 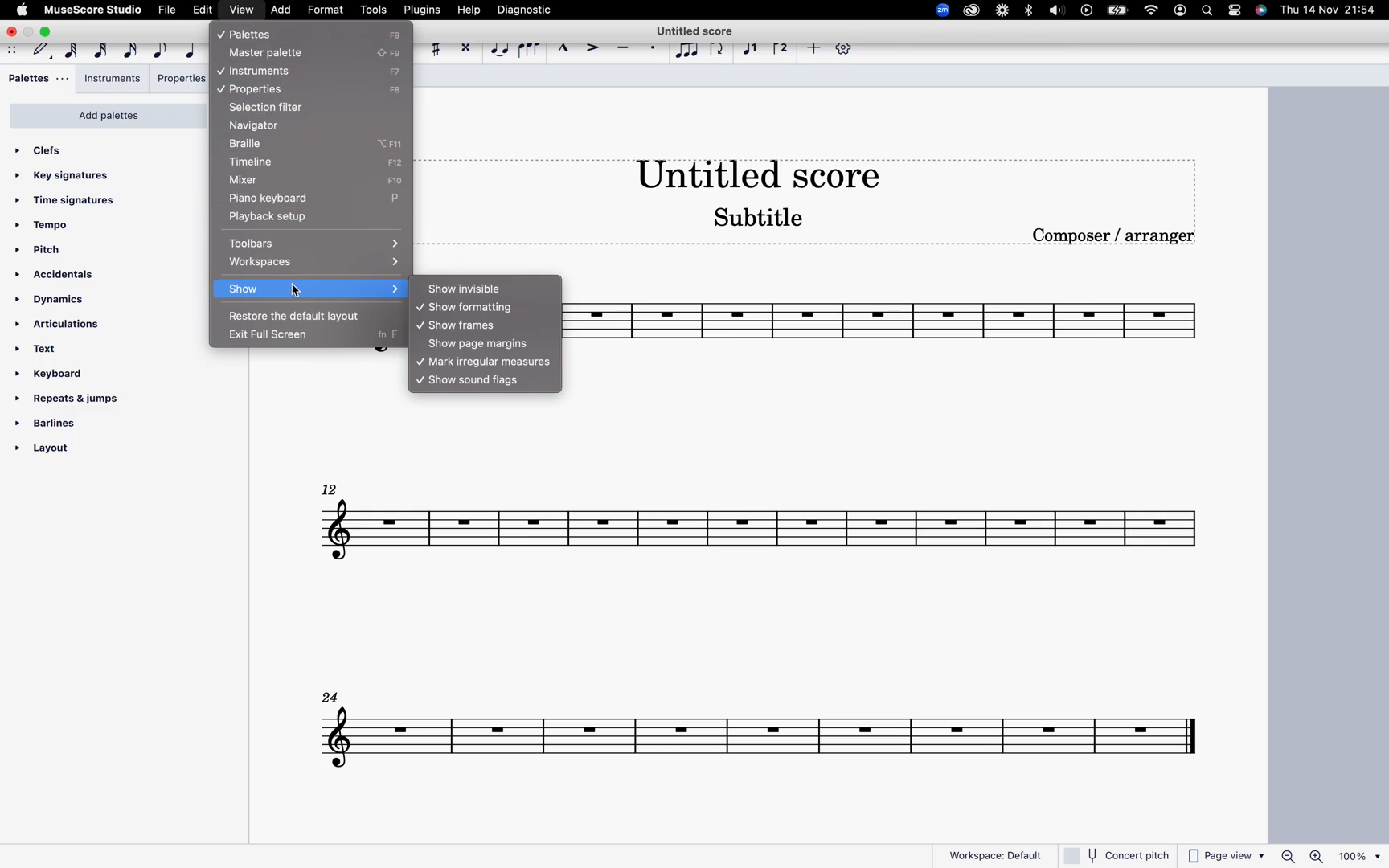 I want to click on show formating, so click(x=481, y=307).